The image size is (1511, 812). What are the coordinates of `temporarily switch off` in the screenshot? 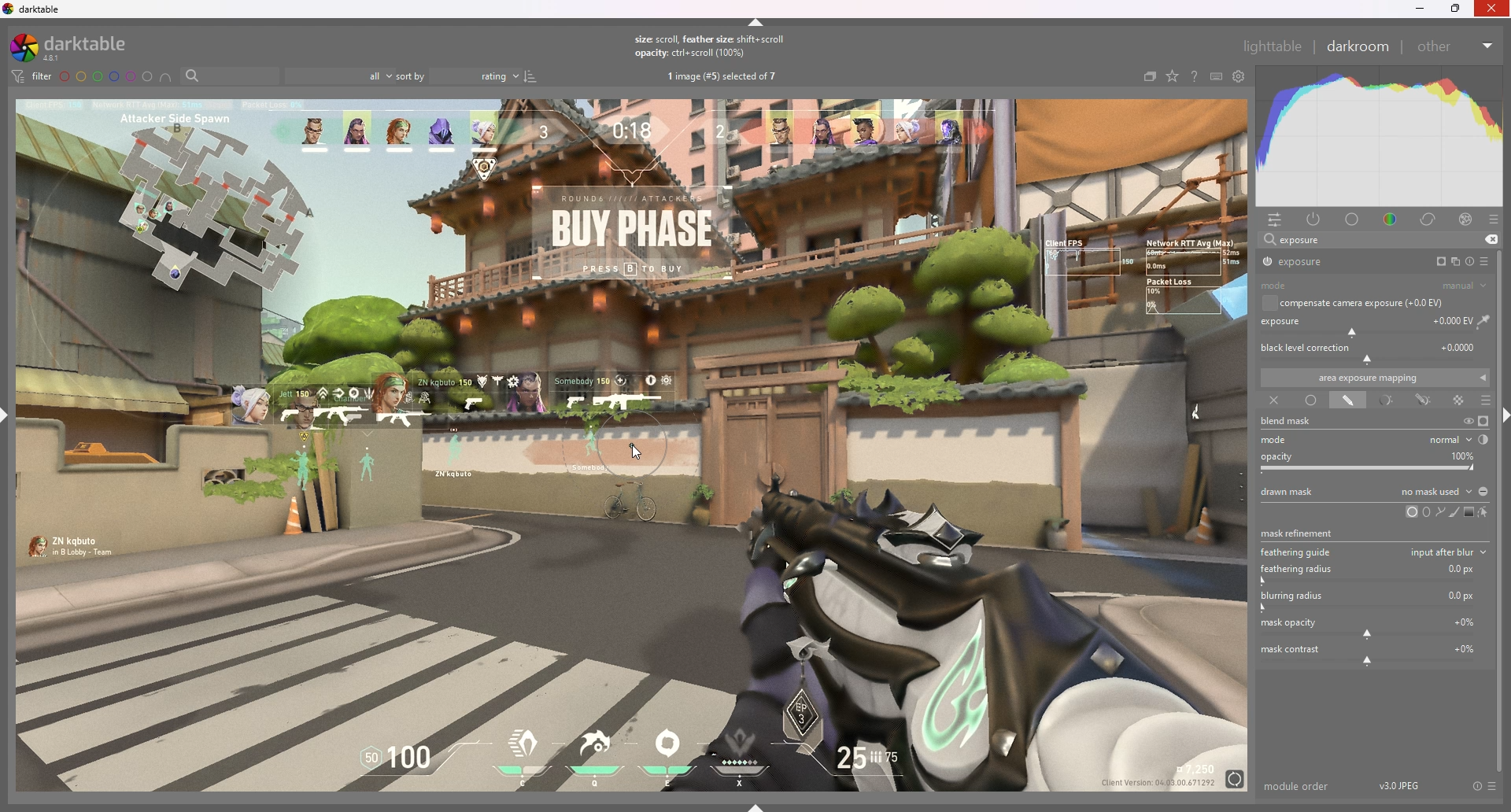 It's located at (1467, 421).